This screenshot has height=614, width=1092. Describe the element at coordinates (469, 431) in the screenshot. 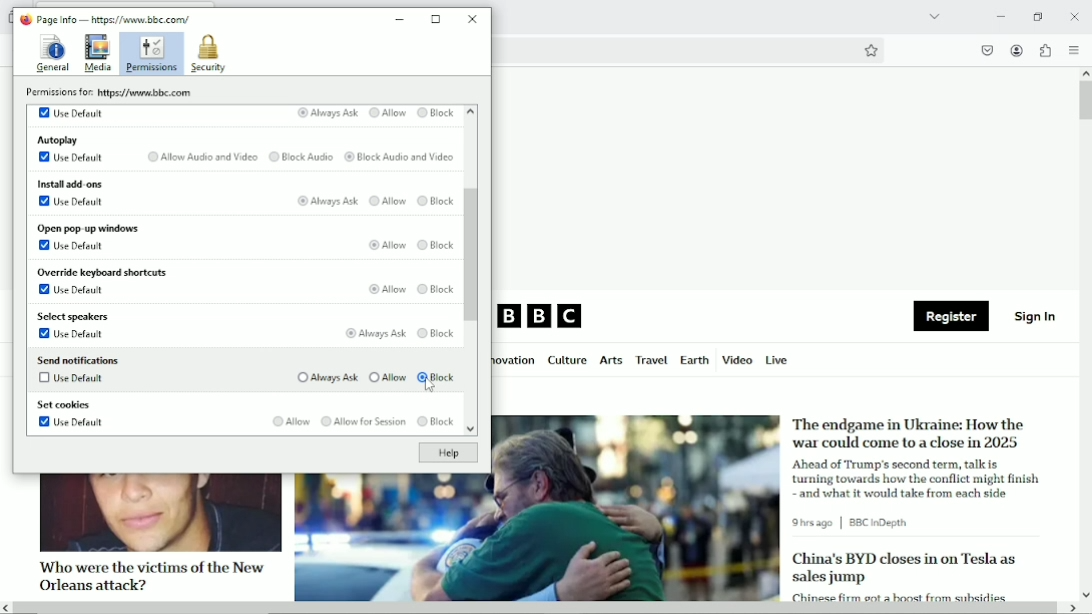

I see `scroll down` at that location.